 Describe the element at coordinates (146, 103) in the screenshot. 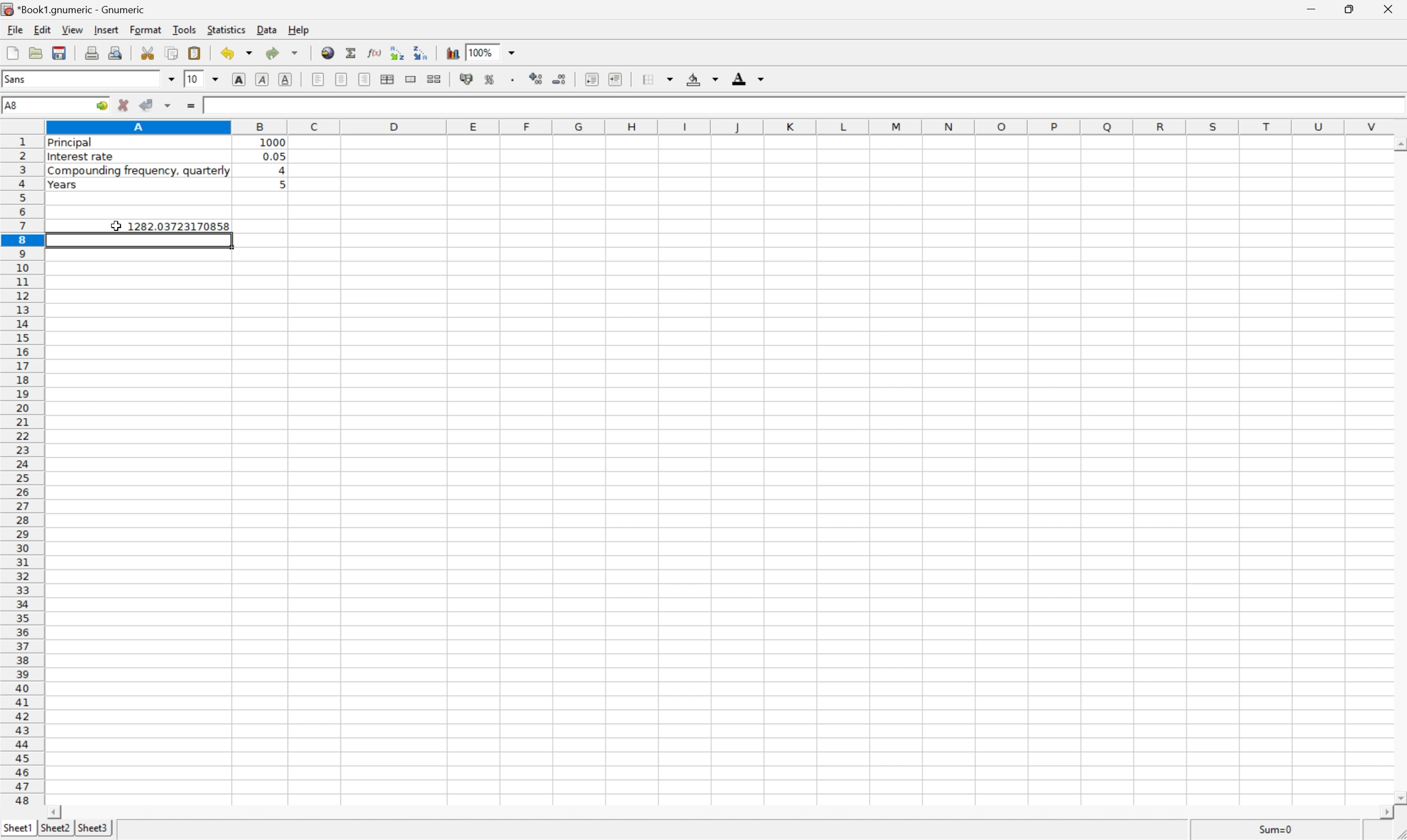

I see `accept changes` at that location.